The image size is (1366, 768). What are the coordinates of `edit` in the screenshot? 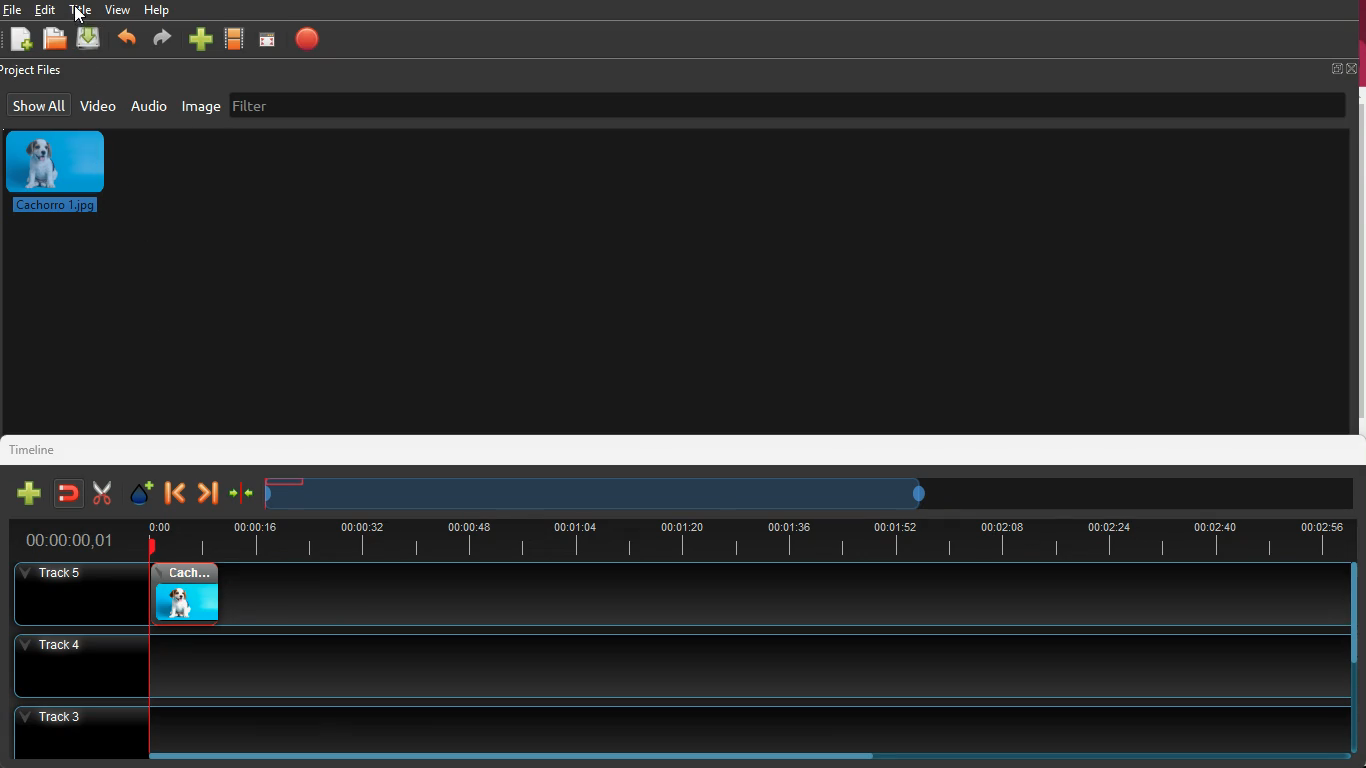 It's located at (49, 10).